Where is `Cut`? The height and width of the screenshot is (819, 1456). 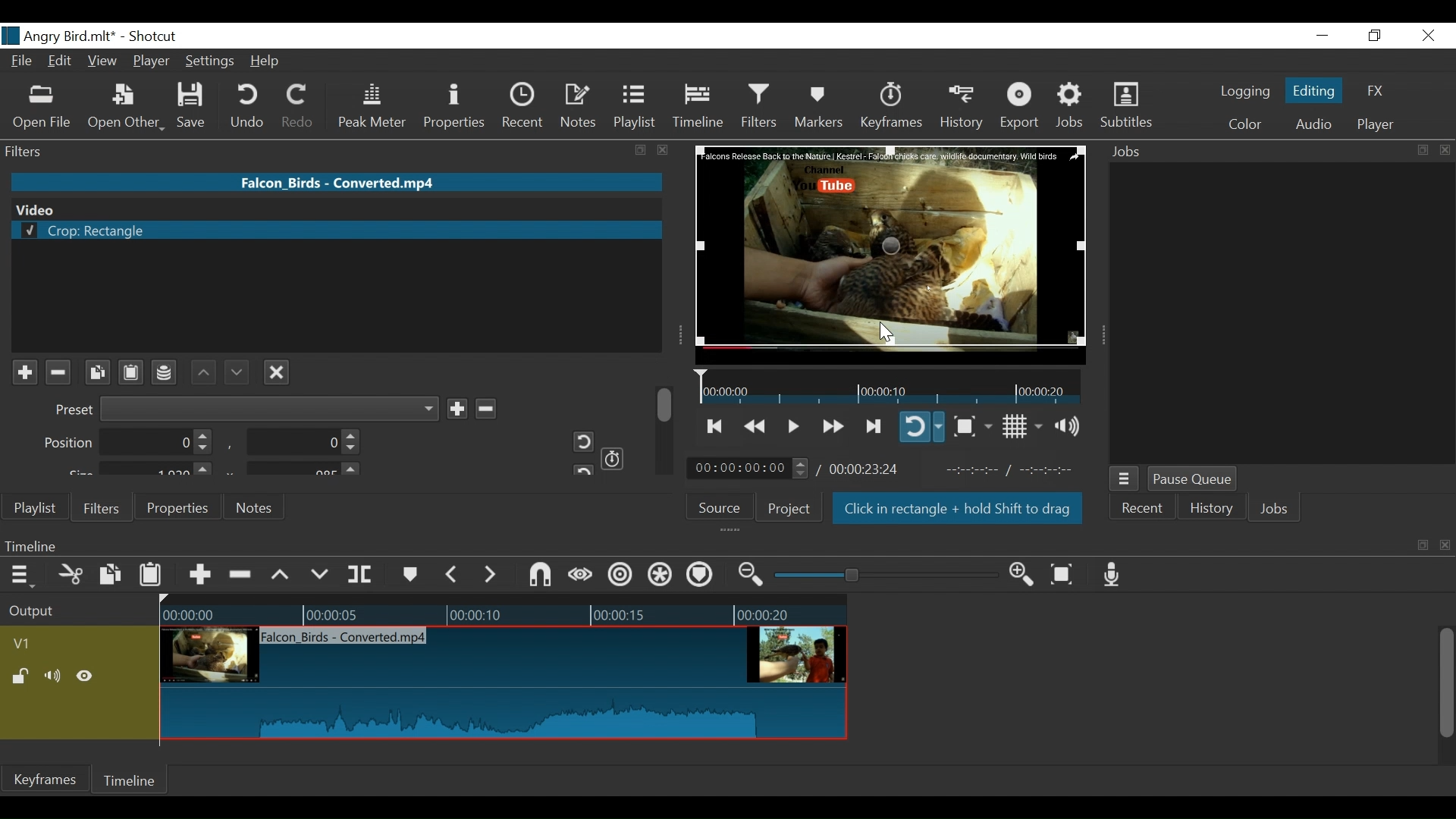
Cut is located at coordinates (71, 576).